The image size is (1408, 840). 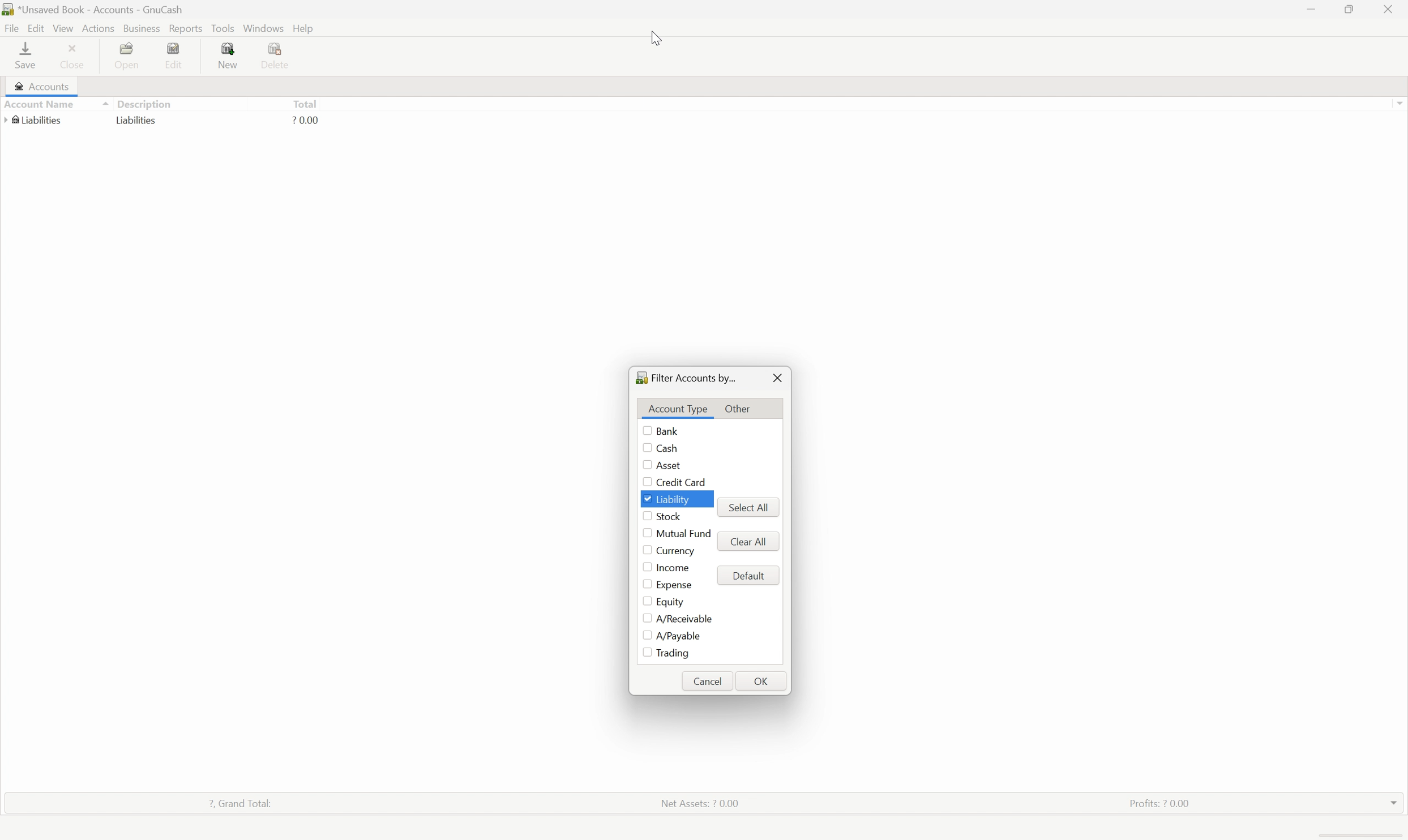 I want to click on Delete, so click(x=278, y=57).